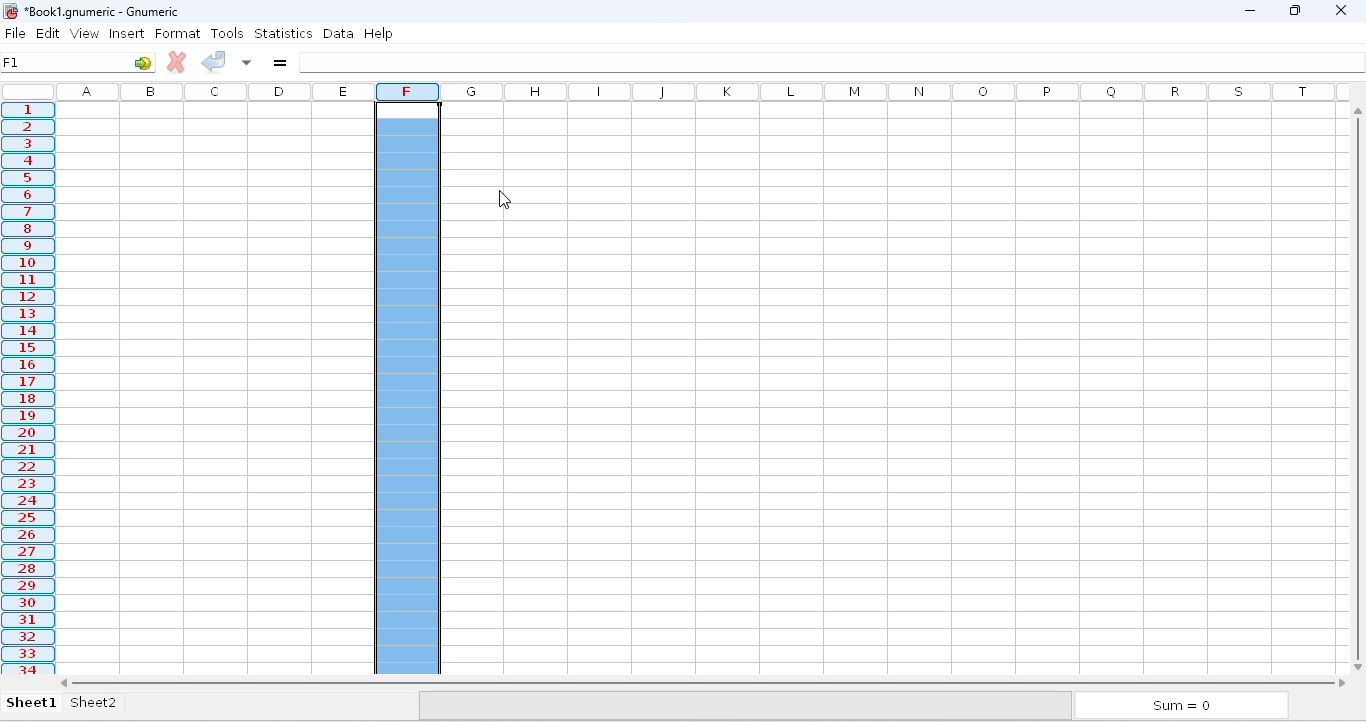 The width and height of the screenshot is (1366, 722). What do you see at coordinates (49, 33) in the screenshot?
I see `edit` at bounding box center [49, 33].